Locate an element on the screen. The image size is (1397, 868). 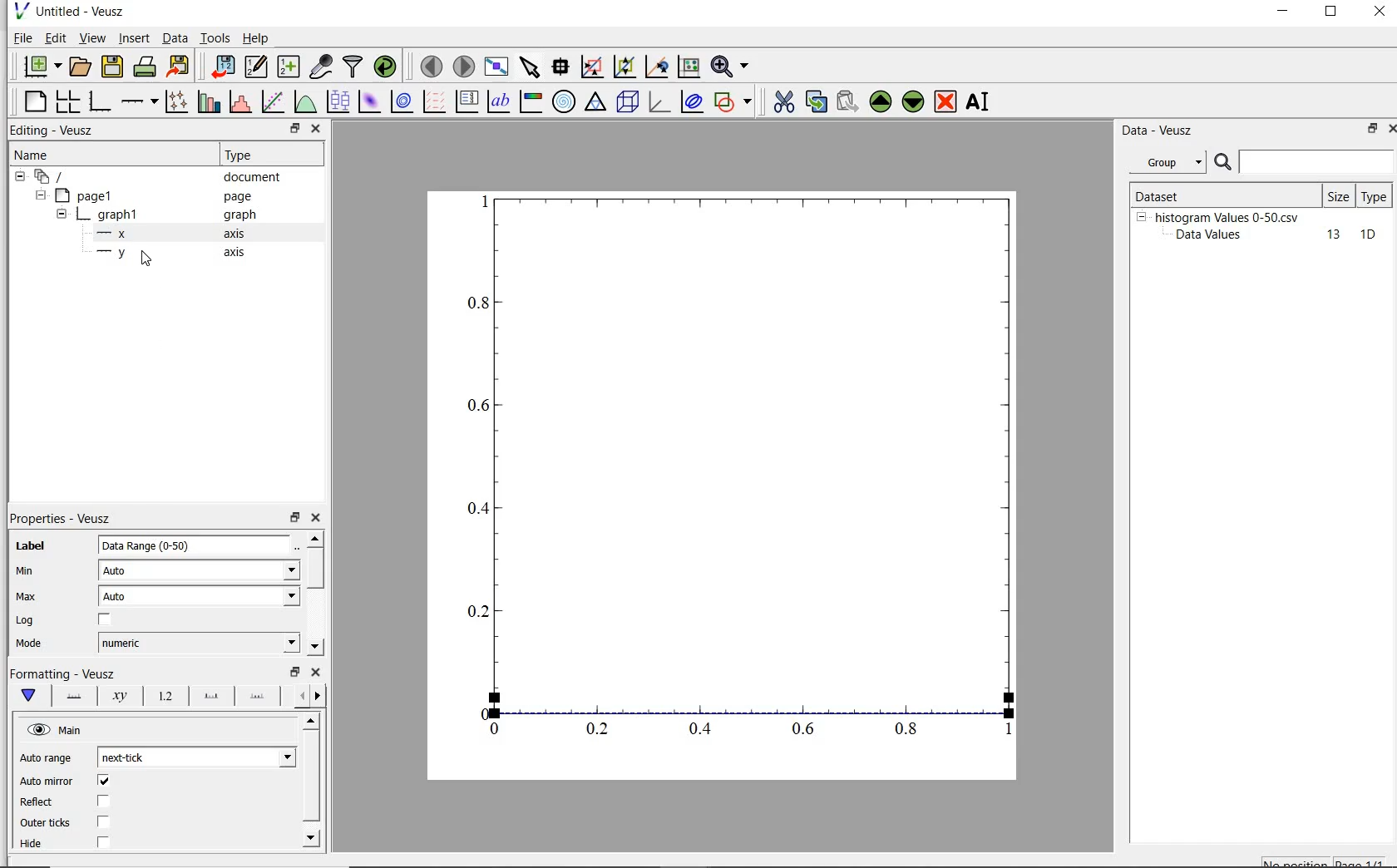
vertical scrollbar is located at coordinates (310, 777).